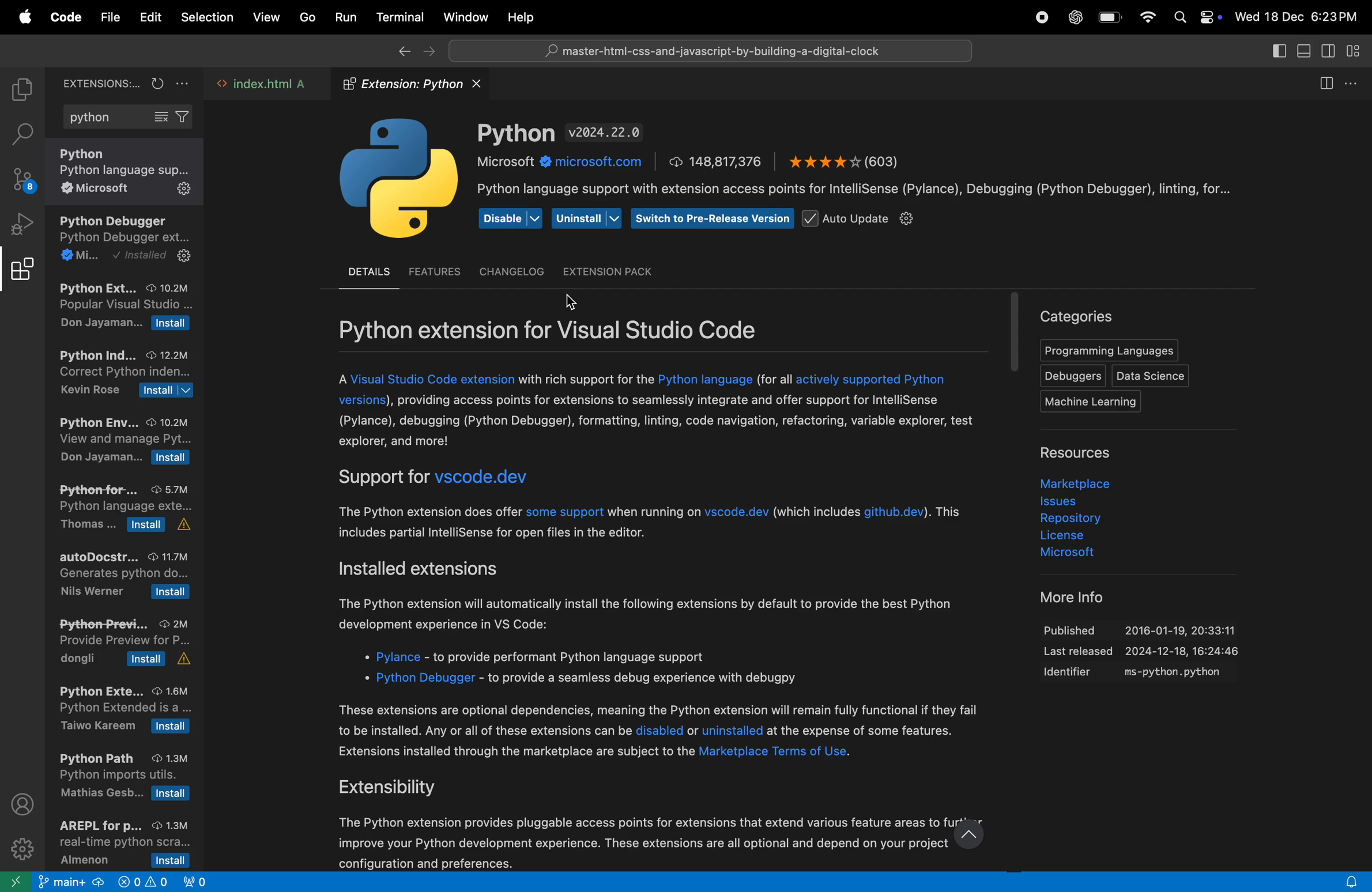 The height and width of the screenshot is (892, 1372). I want to click on More info, so click(1064, 596).